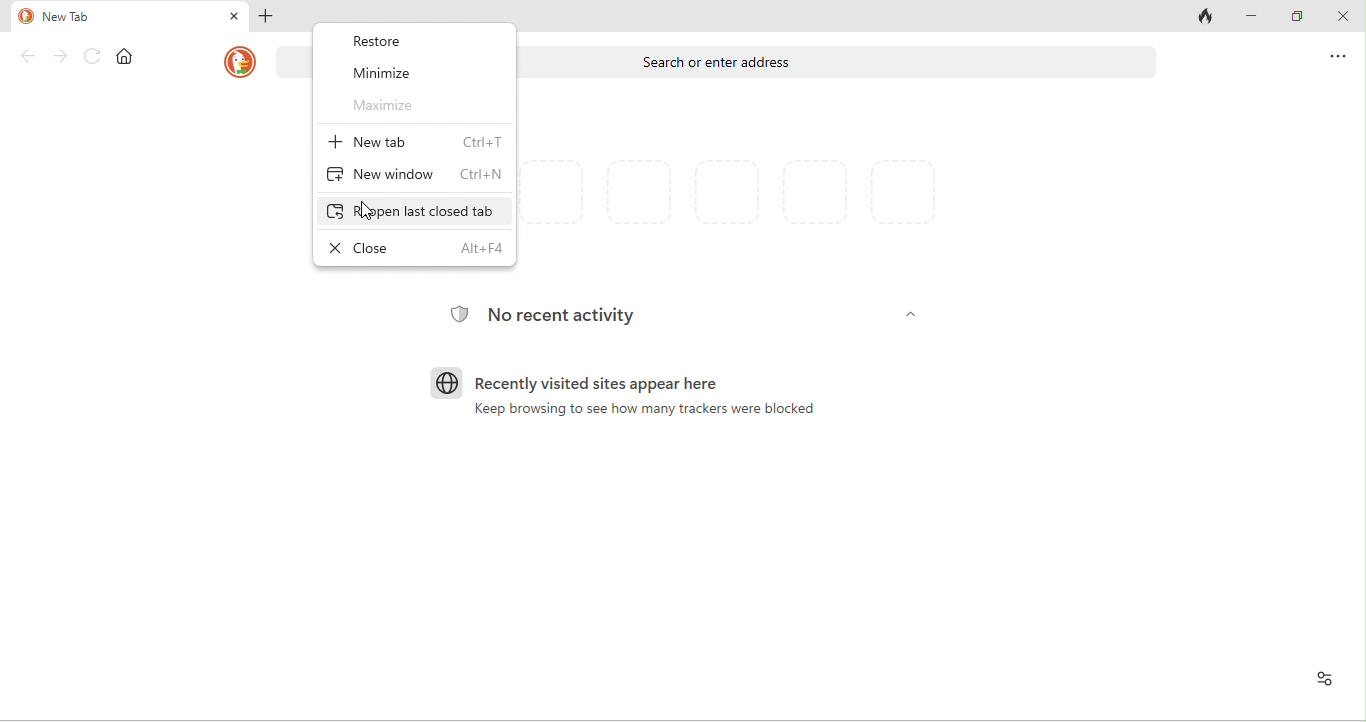 This screenshot has height=722, width=1366. What do you see at coordinates (90, 56) in the screenshot?
I see `refresh` at bounding box center [90, 56].